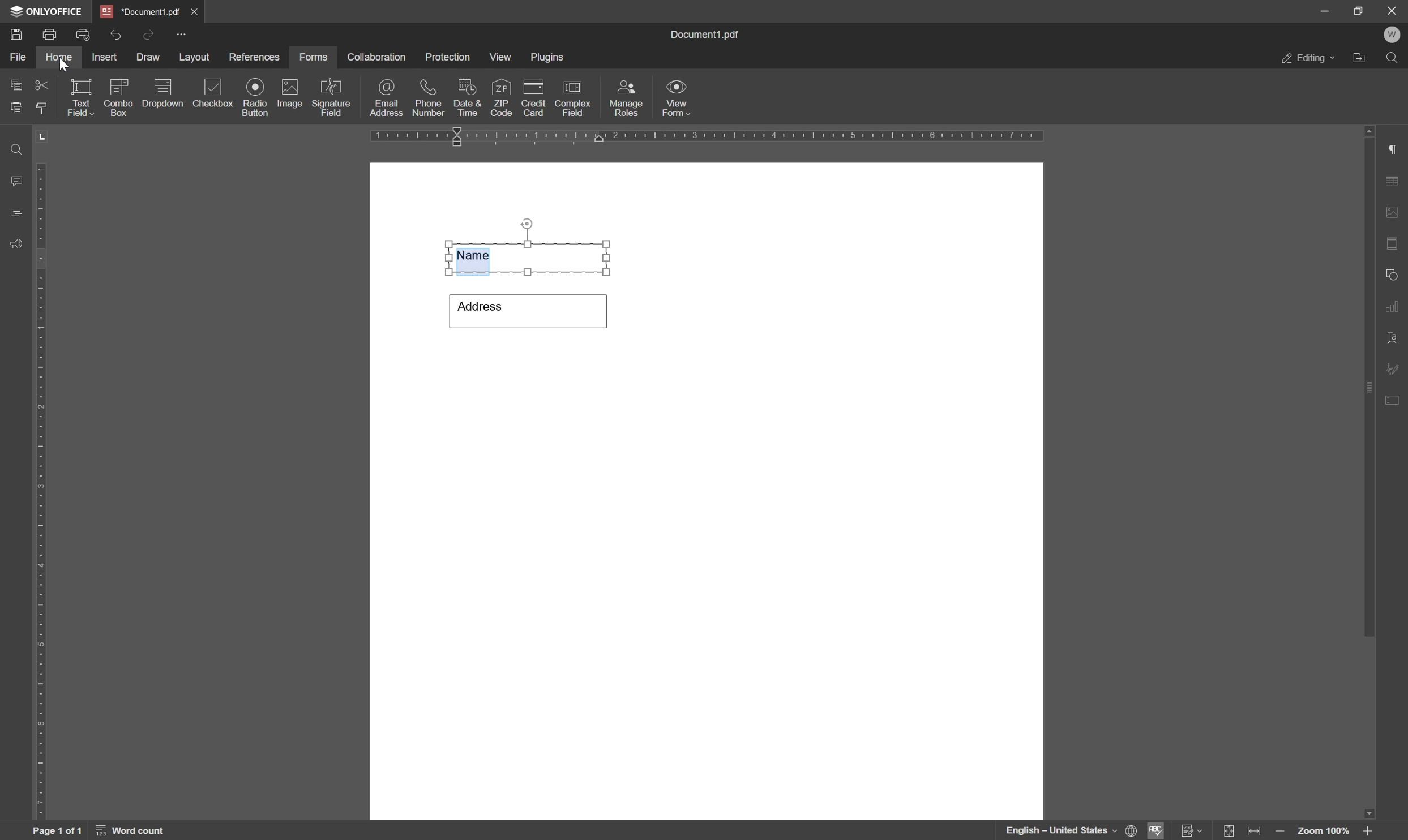 The height and width of the screenshot is (840, 1408). Describe the element at coordinates (63, 64) in the screenshot. I see `cursor` at that location.